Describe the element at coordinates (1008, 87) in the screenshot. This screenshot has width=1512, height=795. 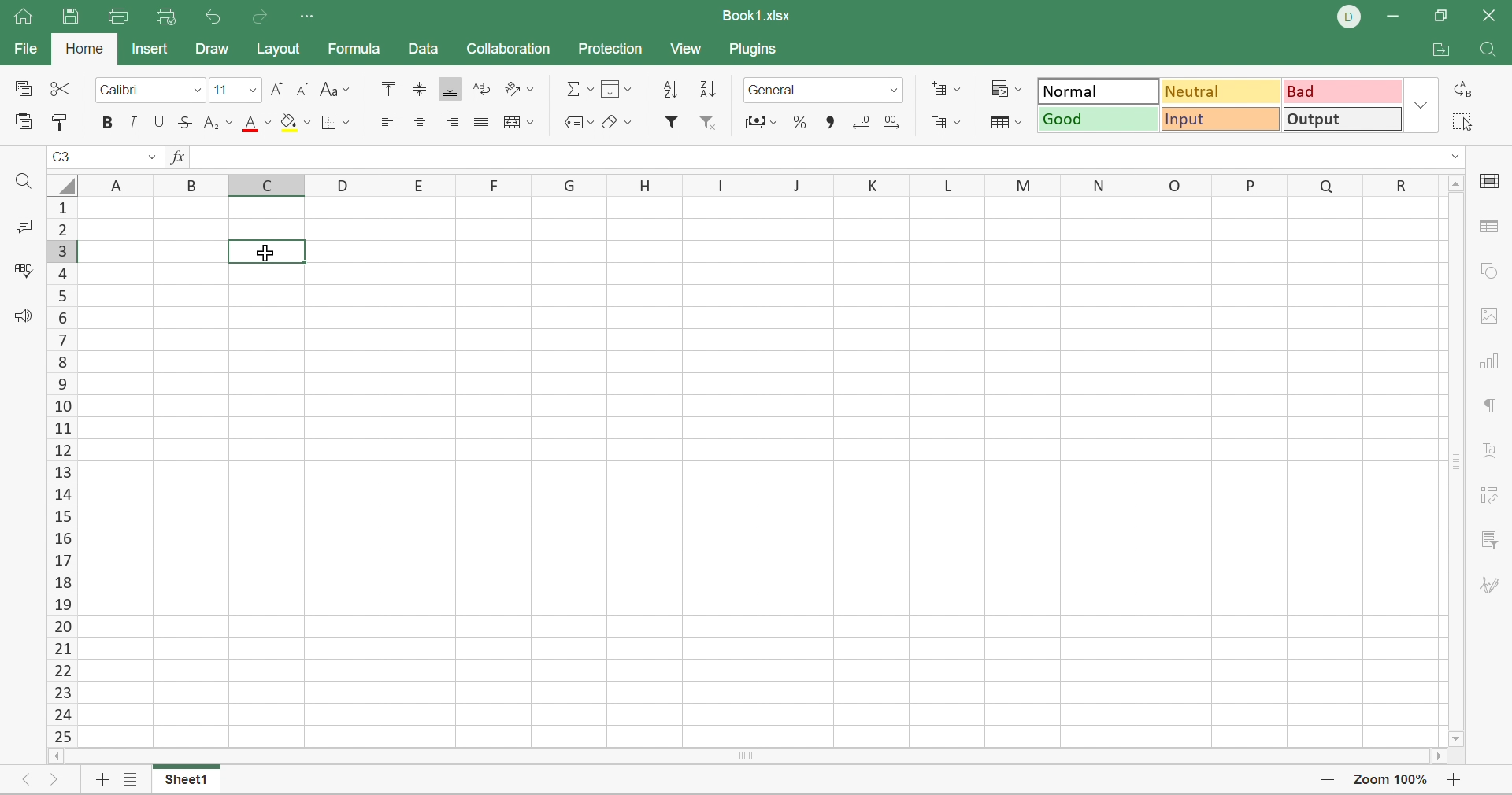
I see `Conditional formatting` at that location.